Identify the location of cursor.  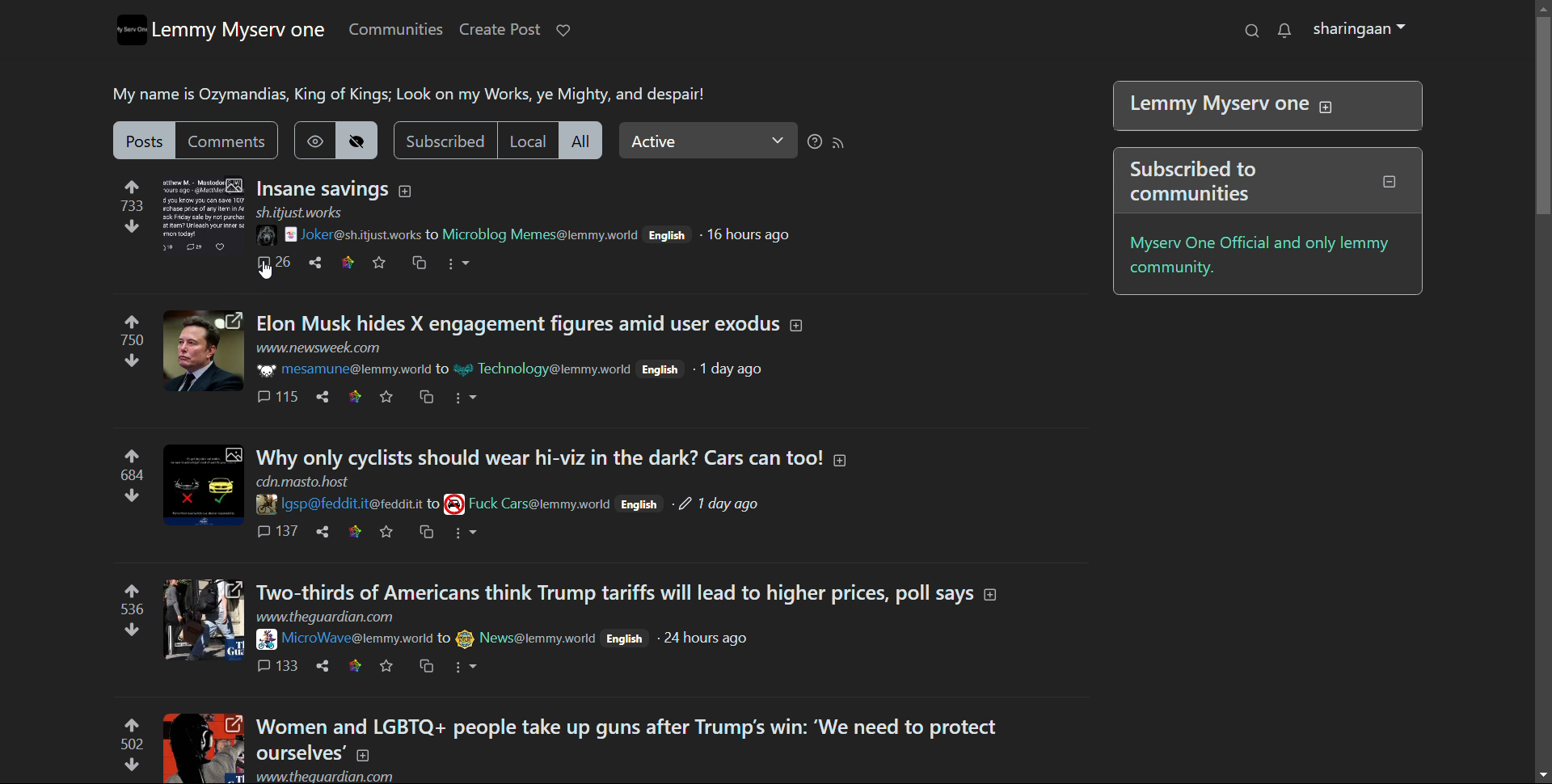
(266, 271).